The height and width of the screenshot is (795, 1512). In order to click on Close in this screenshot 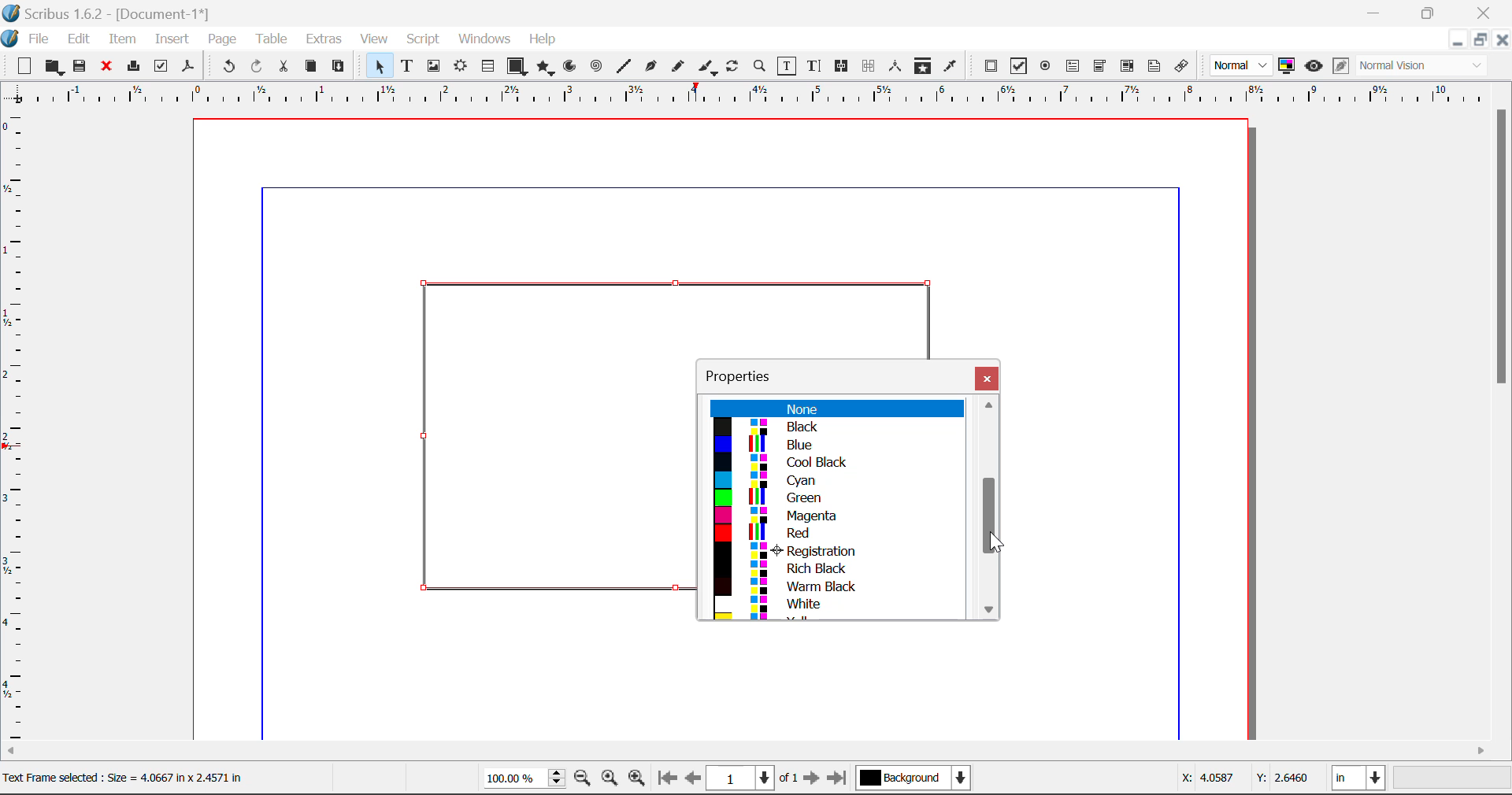, I will do `click(1503, 39)`.